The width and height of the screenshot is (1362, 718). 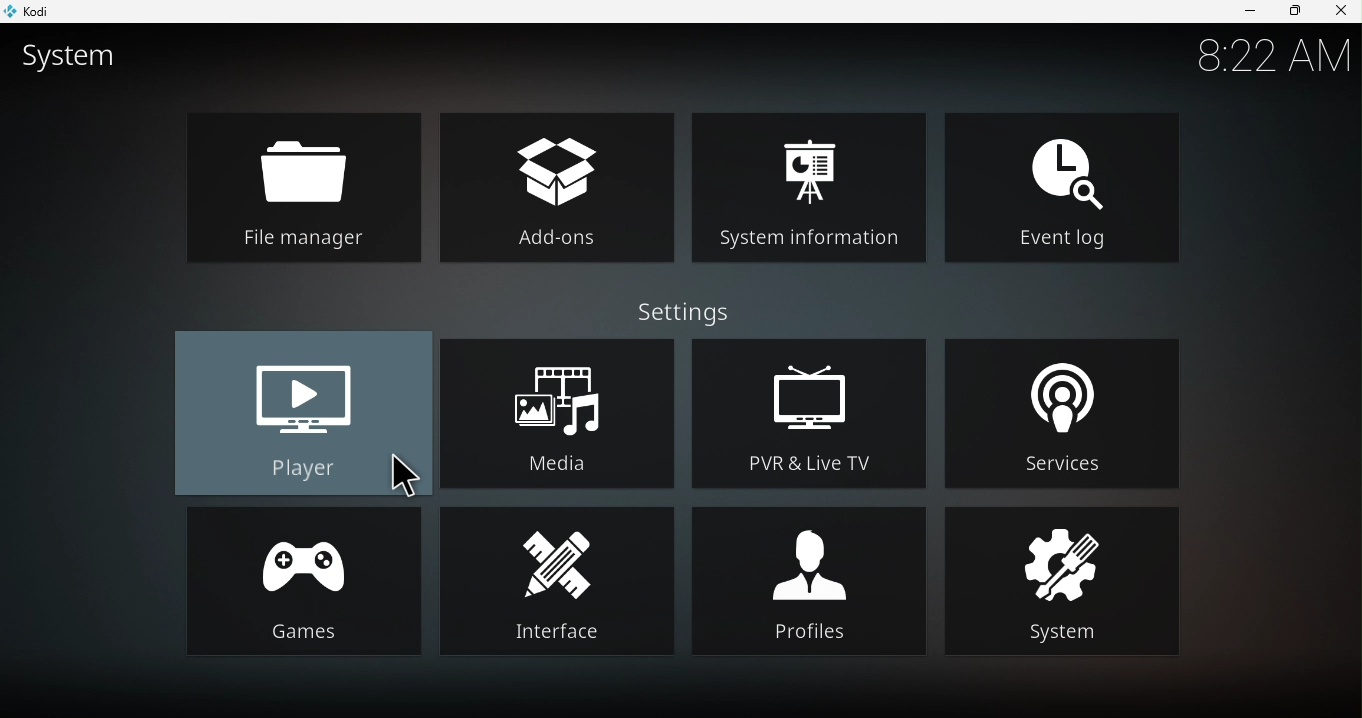 I want to click on Players, so click(x=301, y=414).